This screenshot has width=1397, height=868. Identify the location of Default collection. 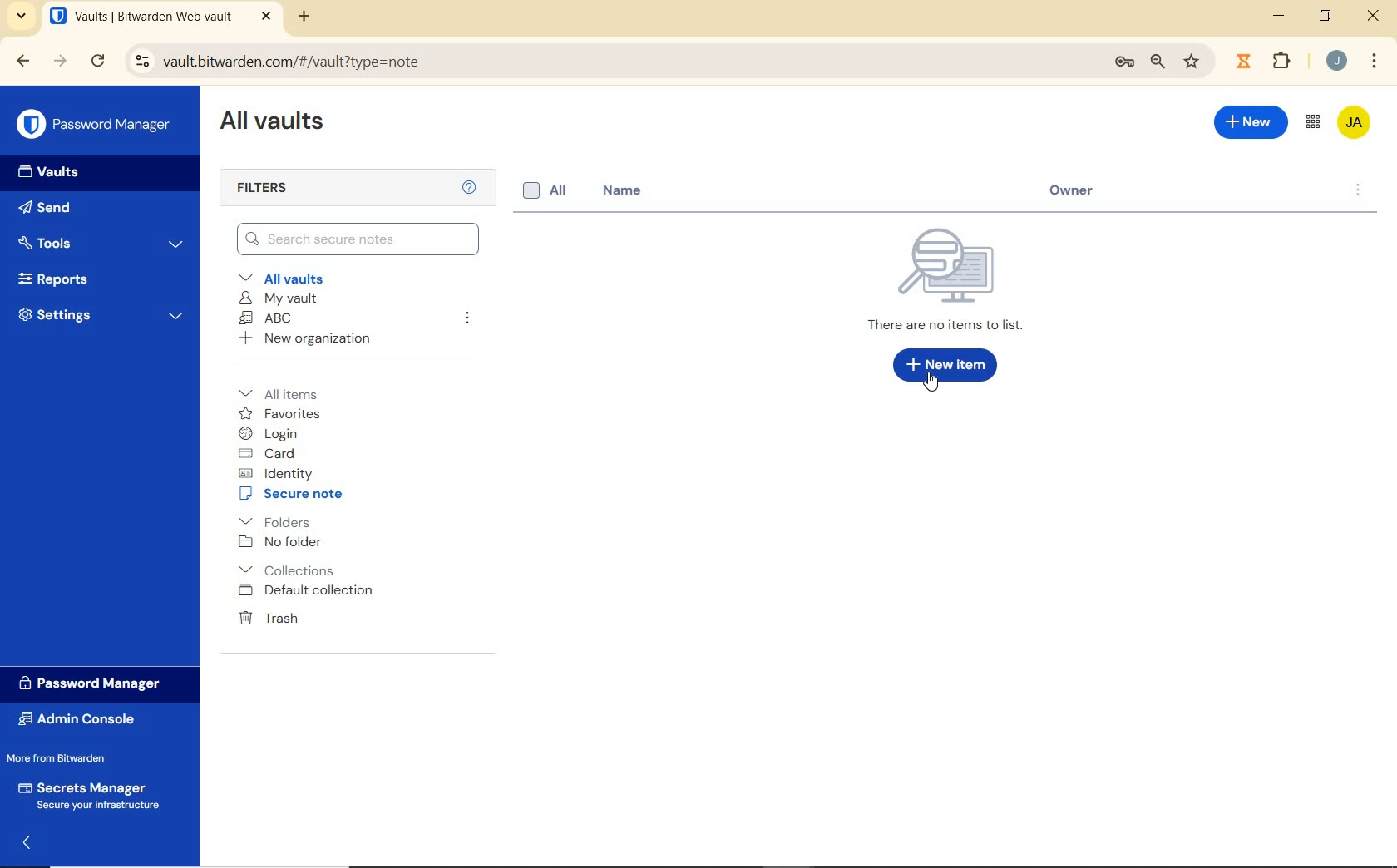
(308, 591).